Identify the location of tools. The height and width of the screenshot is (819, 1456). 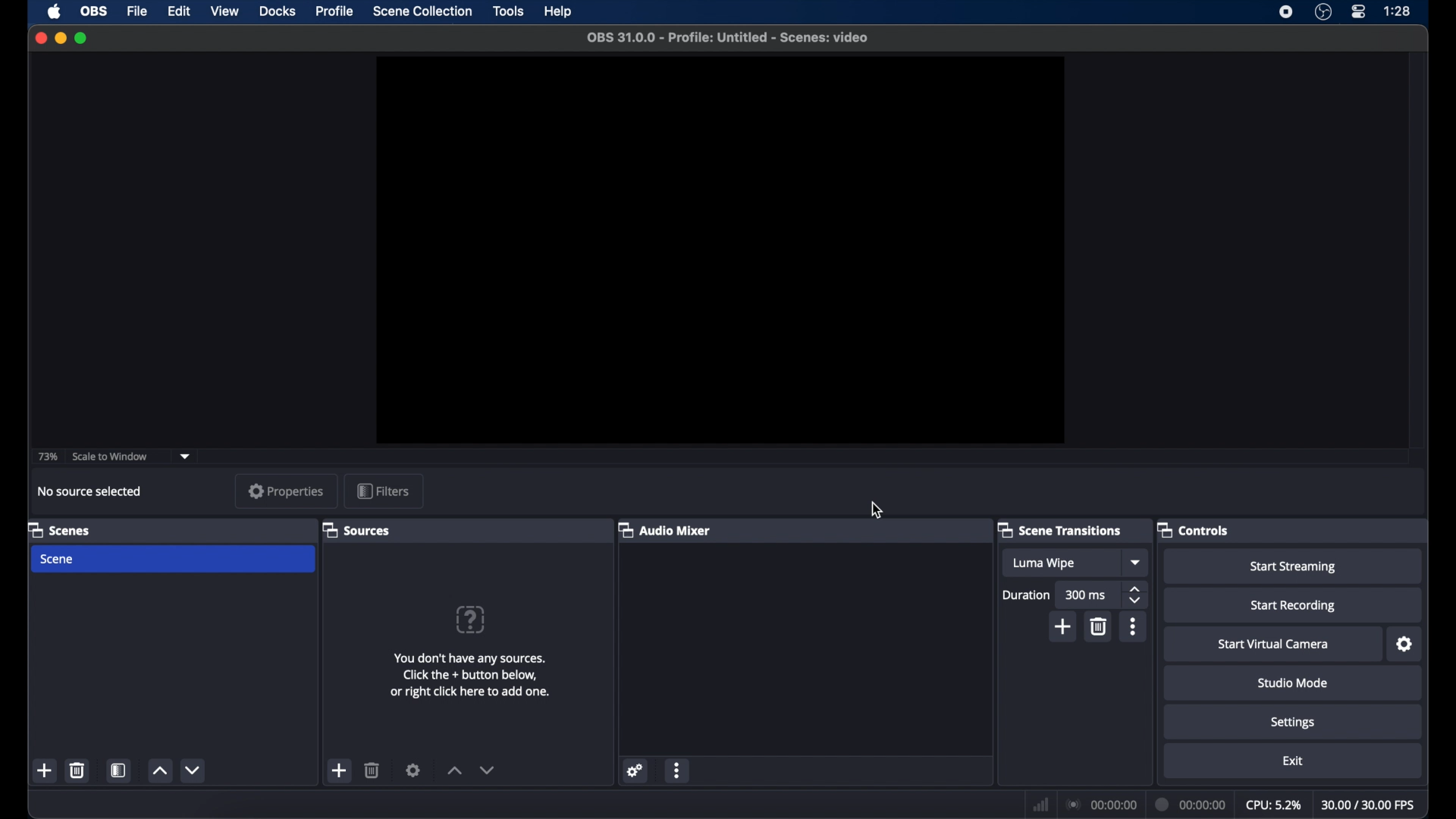
(509, 10).